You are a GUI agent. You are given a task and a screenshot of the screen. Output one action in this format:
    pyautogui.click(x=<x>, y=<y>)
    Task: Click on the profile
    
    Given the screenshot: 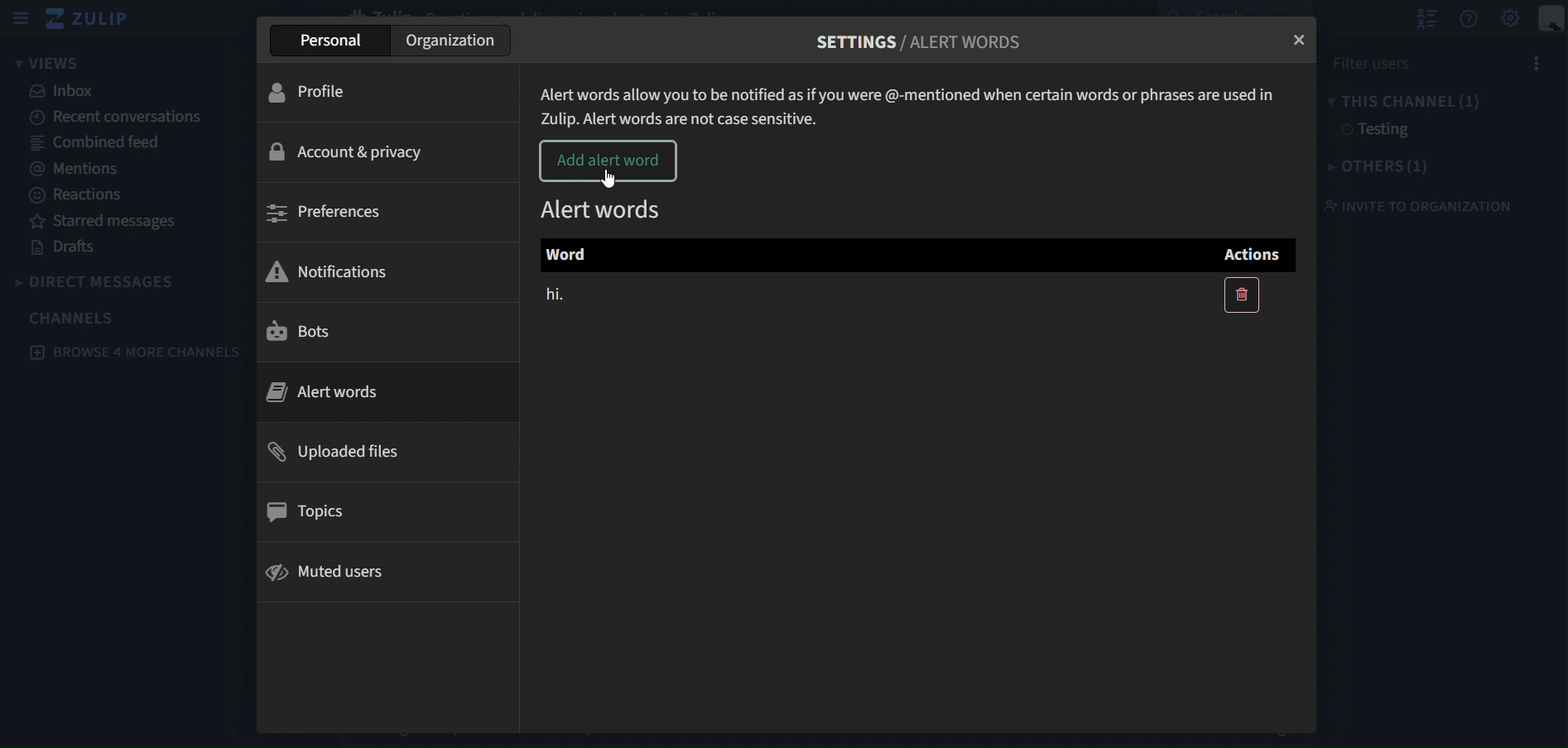 What is the action you would take?
    pyautogui.click(x=327, y=92)
    